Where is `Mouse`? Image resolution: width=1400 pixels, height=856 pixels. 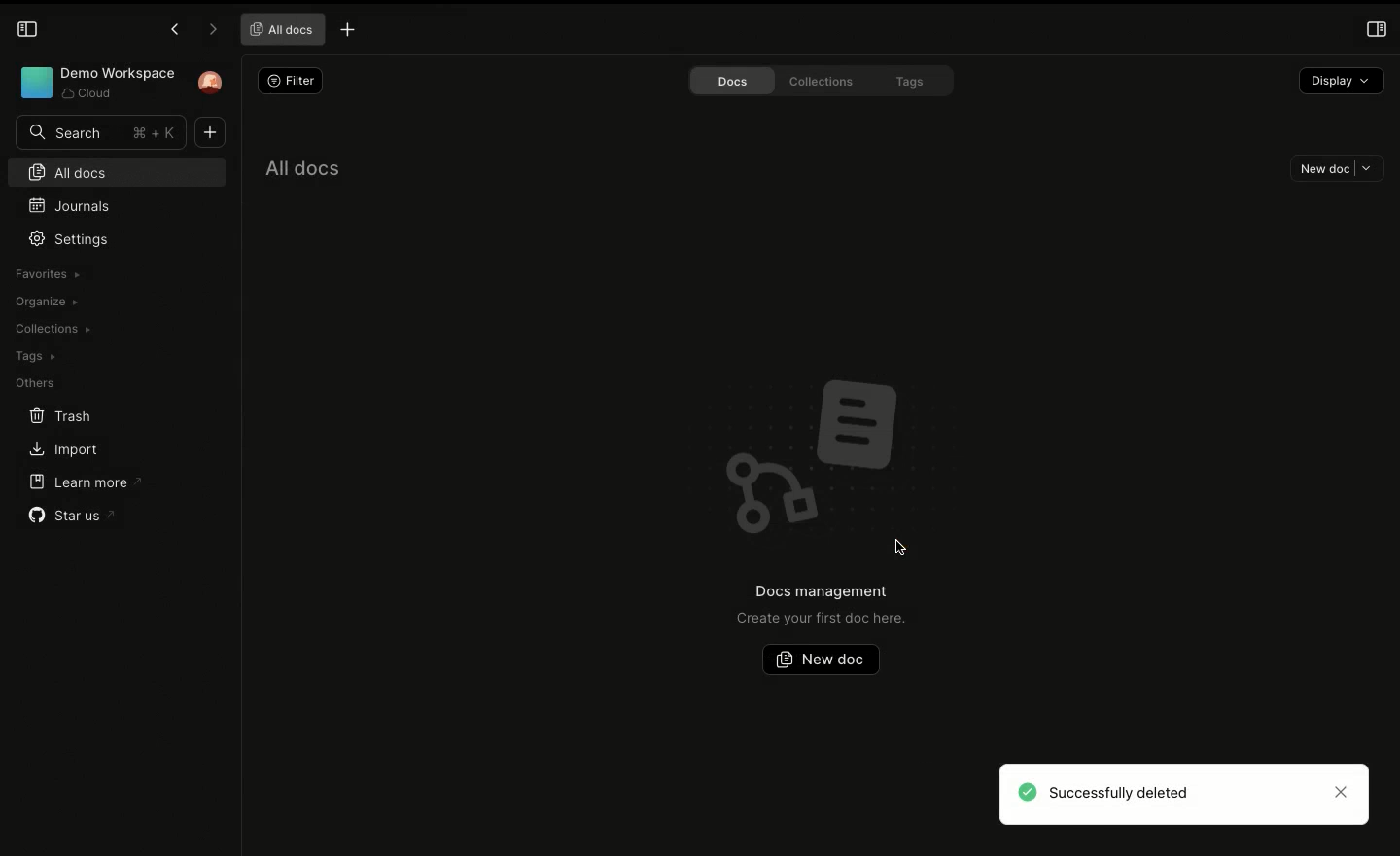
Mouse is located at coordinates (902, 550).